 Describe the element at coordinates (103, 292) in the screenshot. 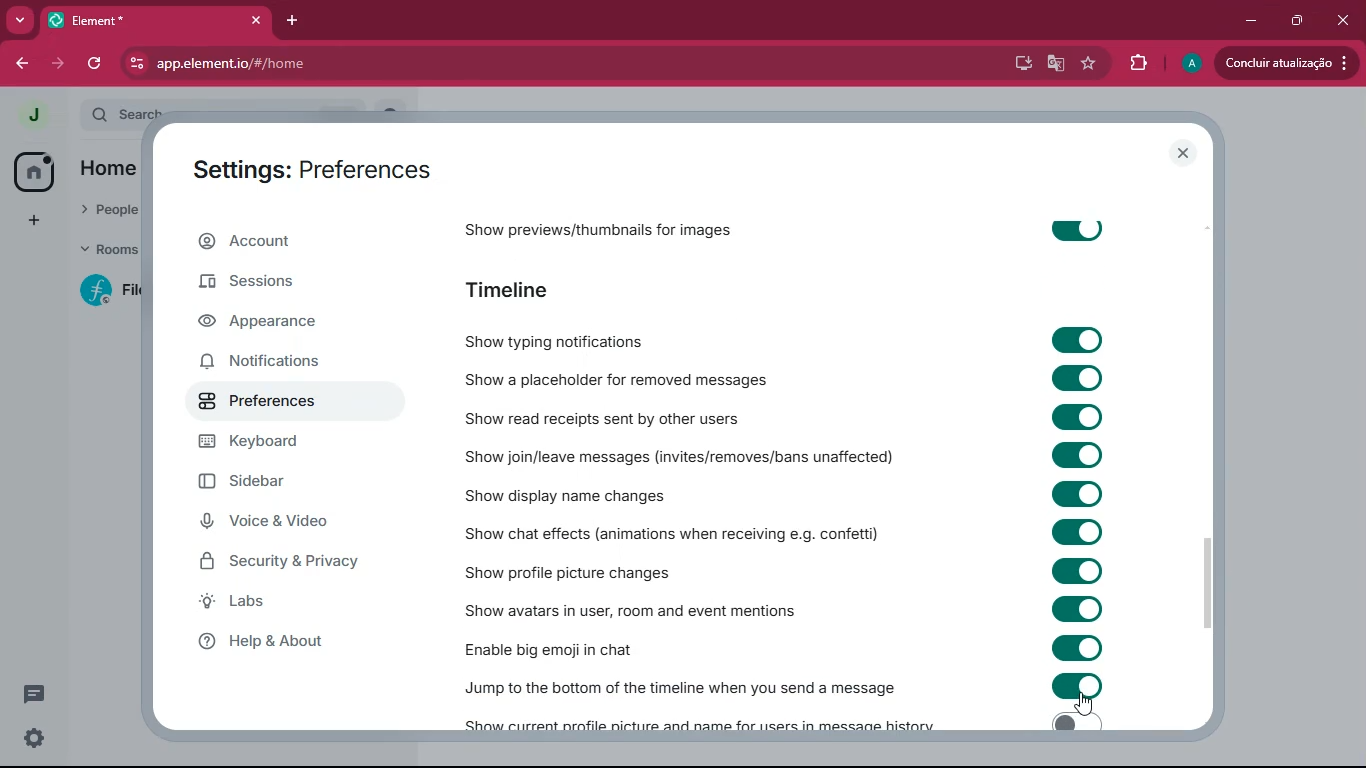

I see `f fil` at that location.